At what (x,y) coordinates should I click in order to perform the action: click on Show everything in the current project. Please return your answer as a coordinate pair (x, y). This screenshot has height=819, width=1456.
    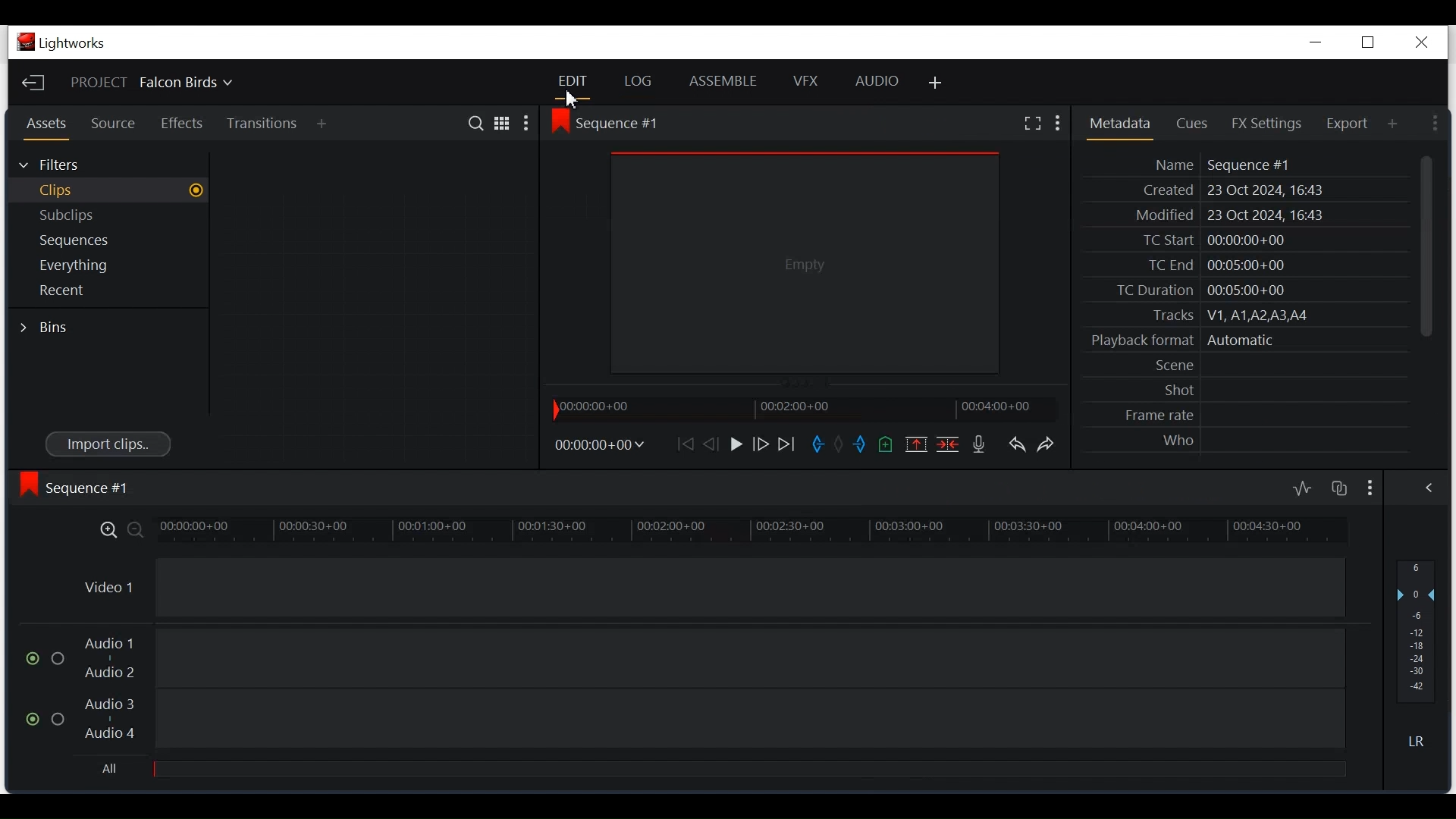
    Looking at the image, I should click on (104, 266).